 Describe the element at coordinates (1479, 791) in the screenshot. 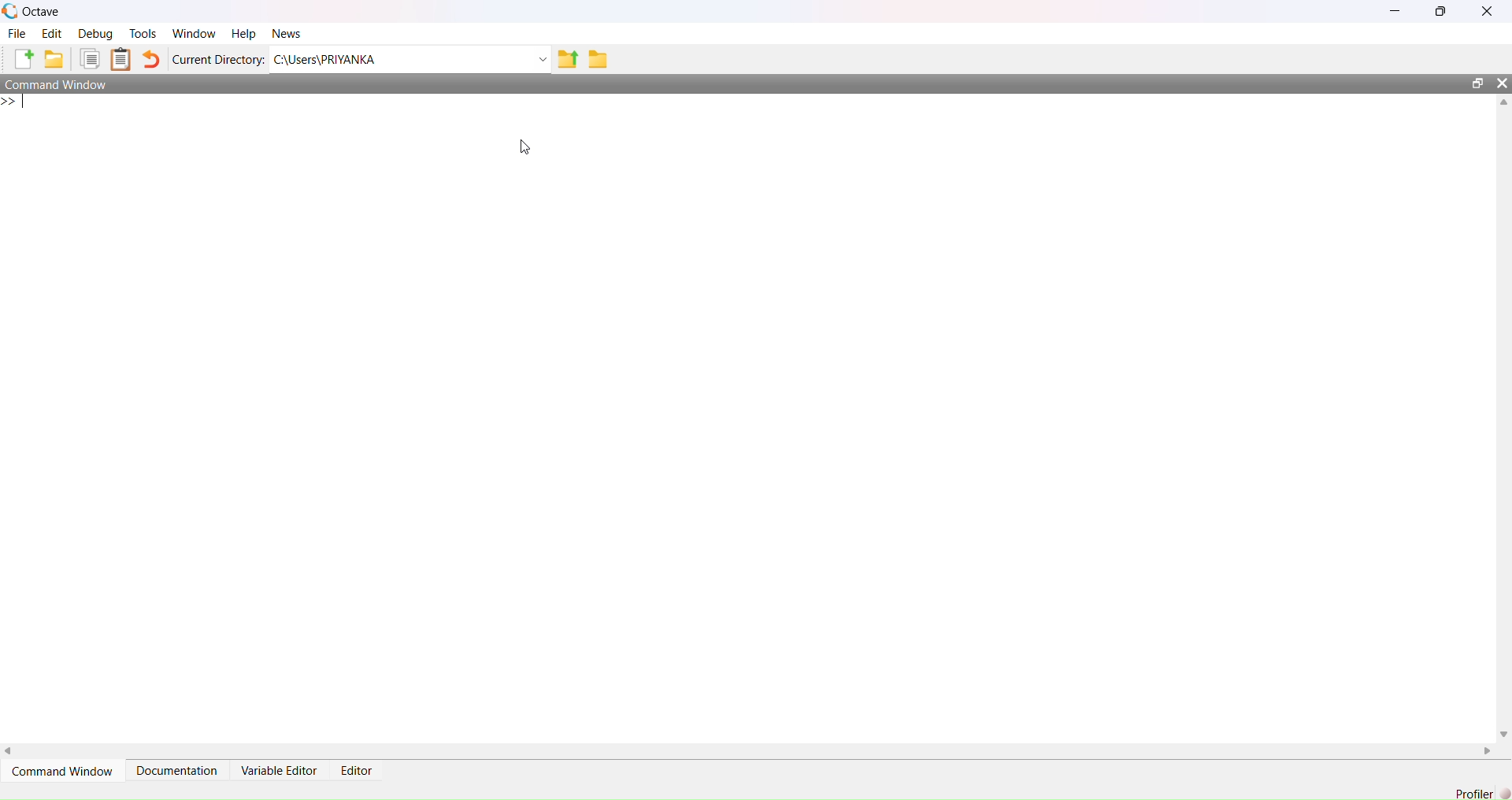

I see `Profiler` at that location.